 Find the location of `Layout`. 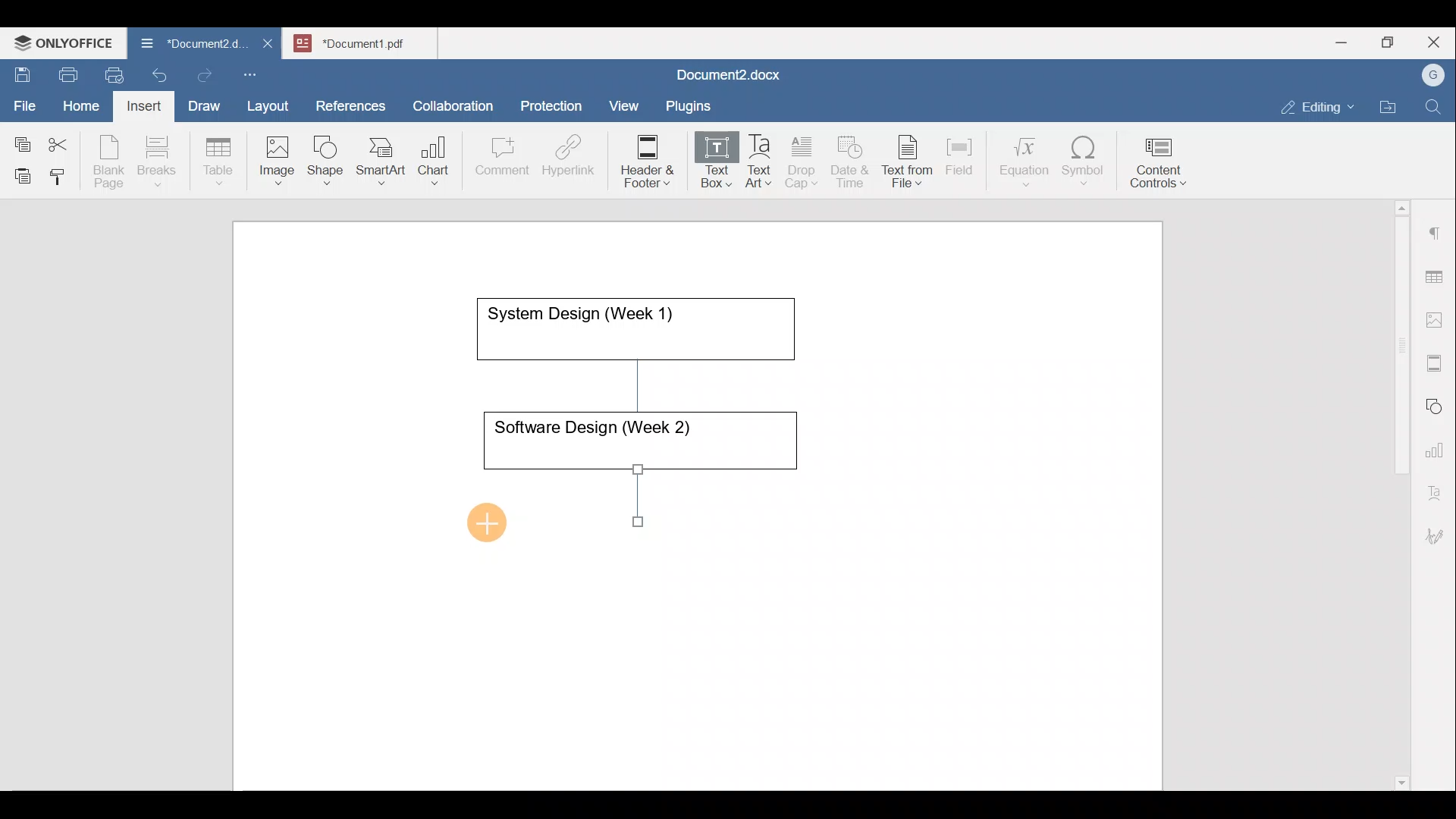

Layout is located at coordinates (271, 103).